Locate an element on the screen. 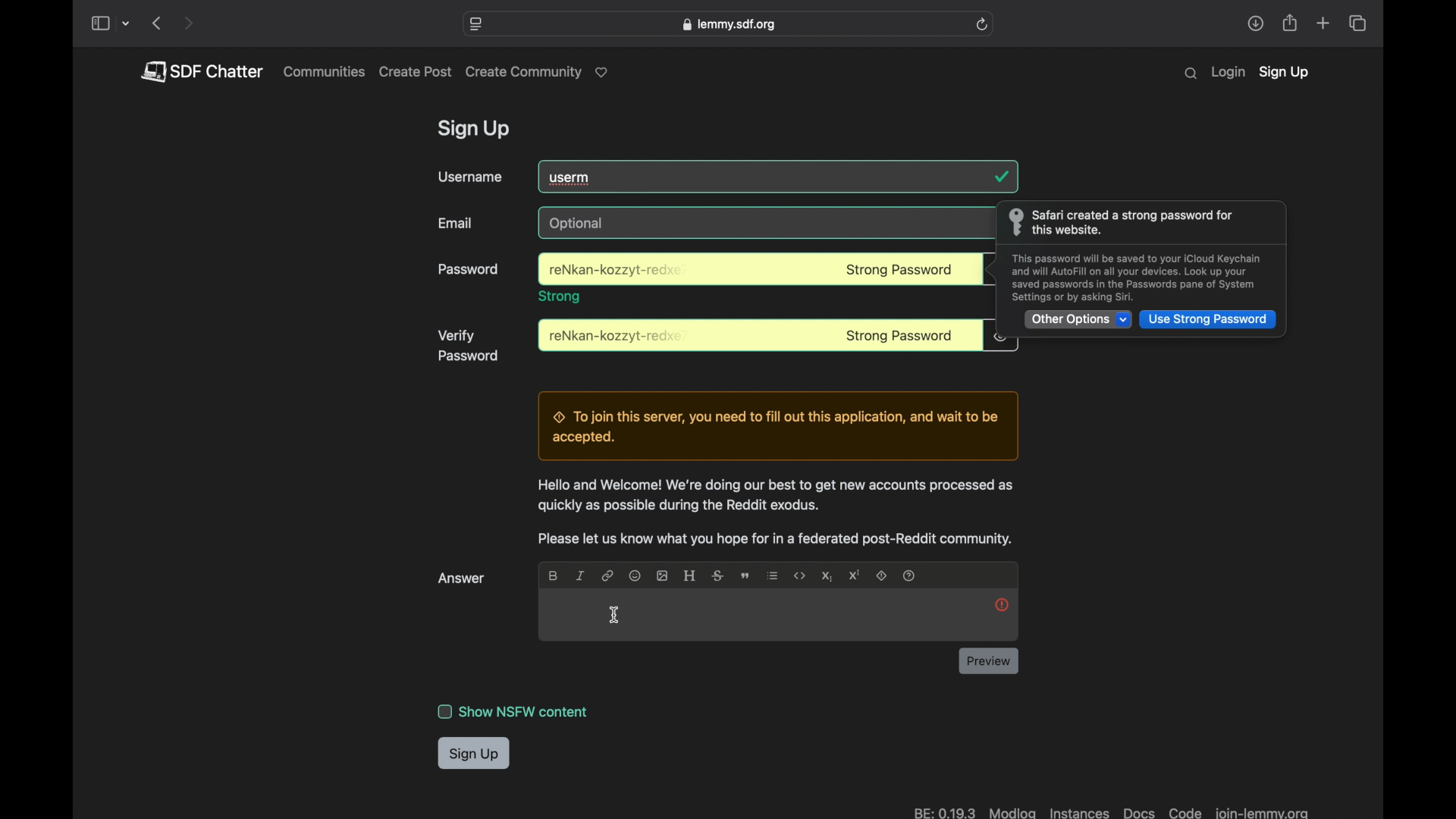 The image size is (1456, 819). strikethrough is located at coordinates (716, 576).